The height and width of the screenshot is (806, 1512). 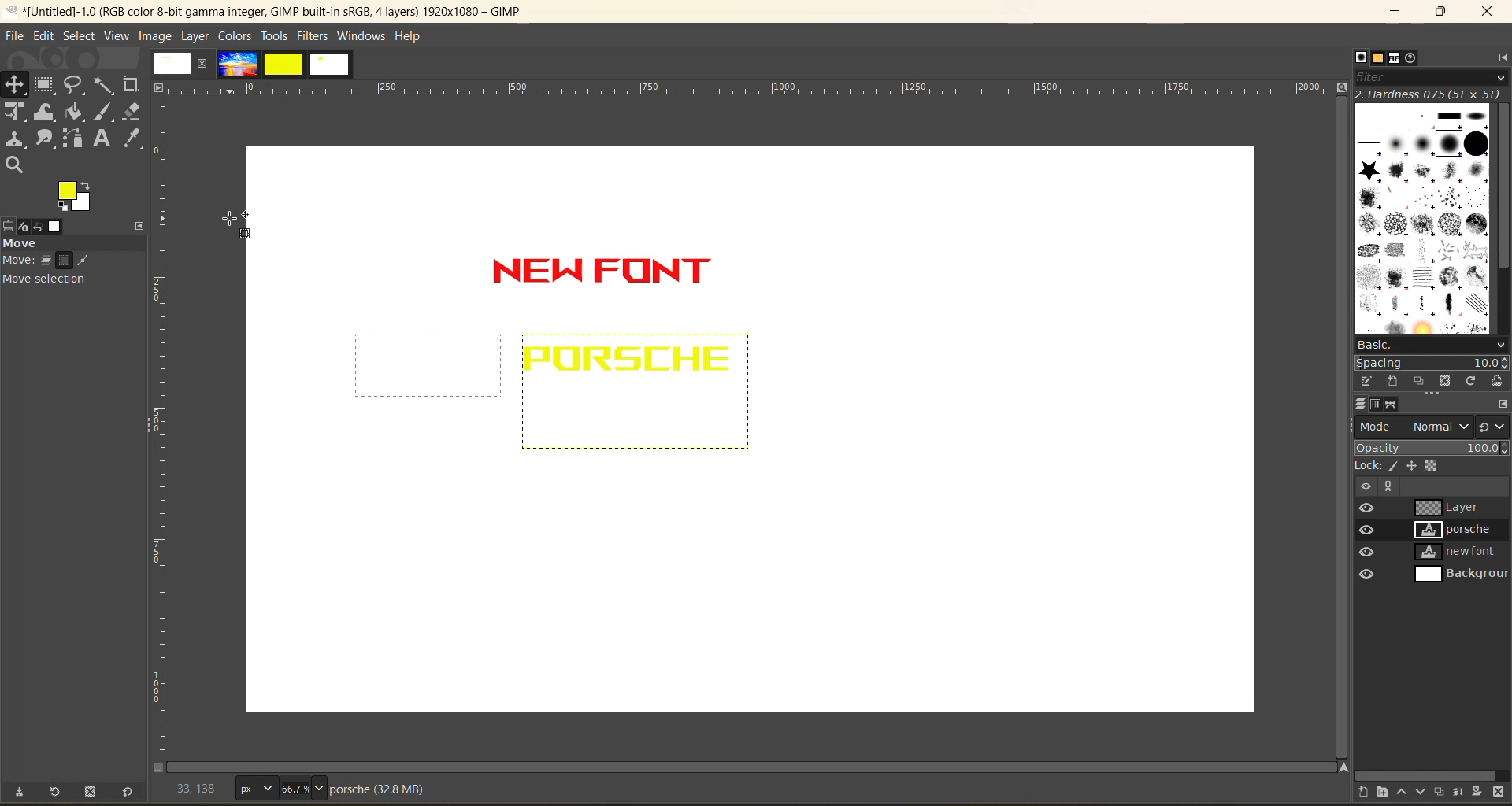 I want to click on select, so click(x=78, y=39).